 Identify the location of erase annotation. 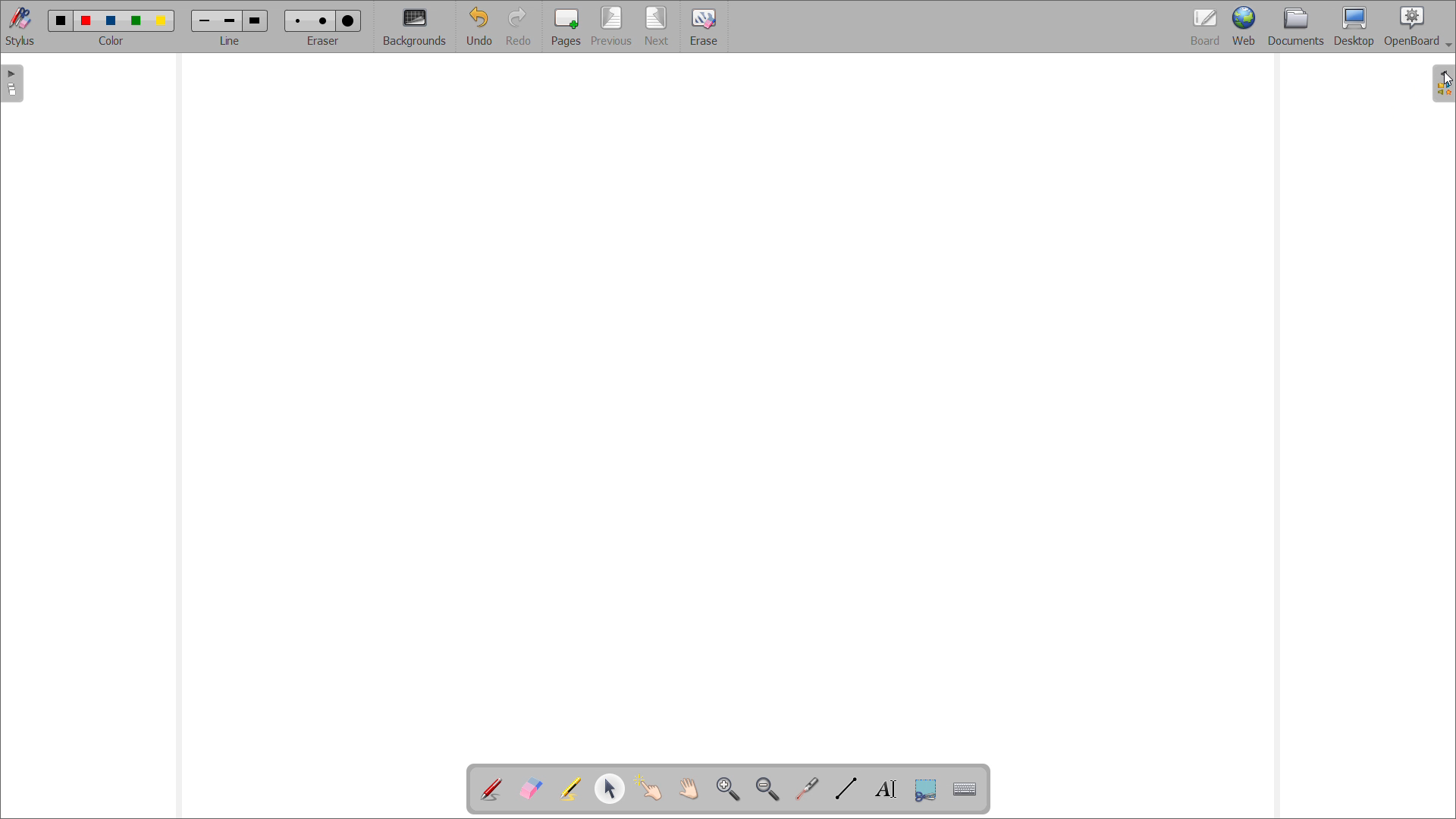
(532, 788).